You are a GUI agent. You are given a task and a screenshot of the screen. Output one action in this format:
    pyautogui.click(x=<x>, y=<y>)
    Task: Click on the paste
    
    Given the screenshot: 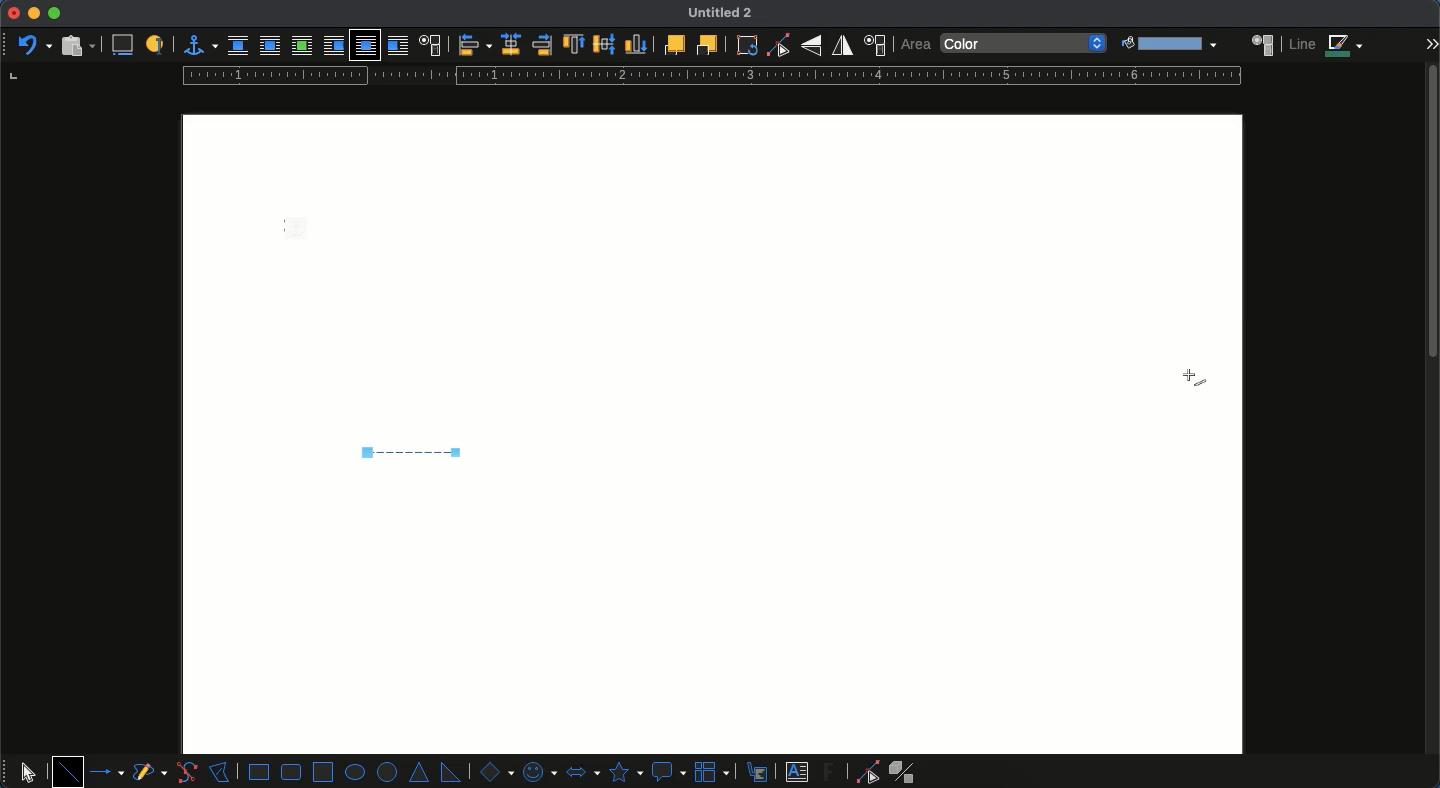 What is the action you would take?
    pyautogui.click(x=76, y=45)
    